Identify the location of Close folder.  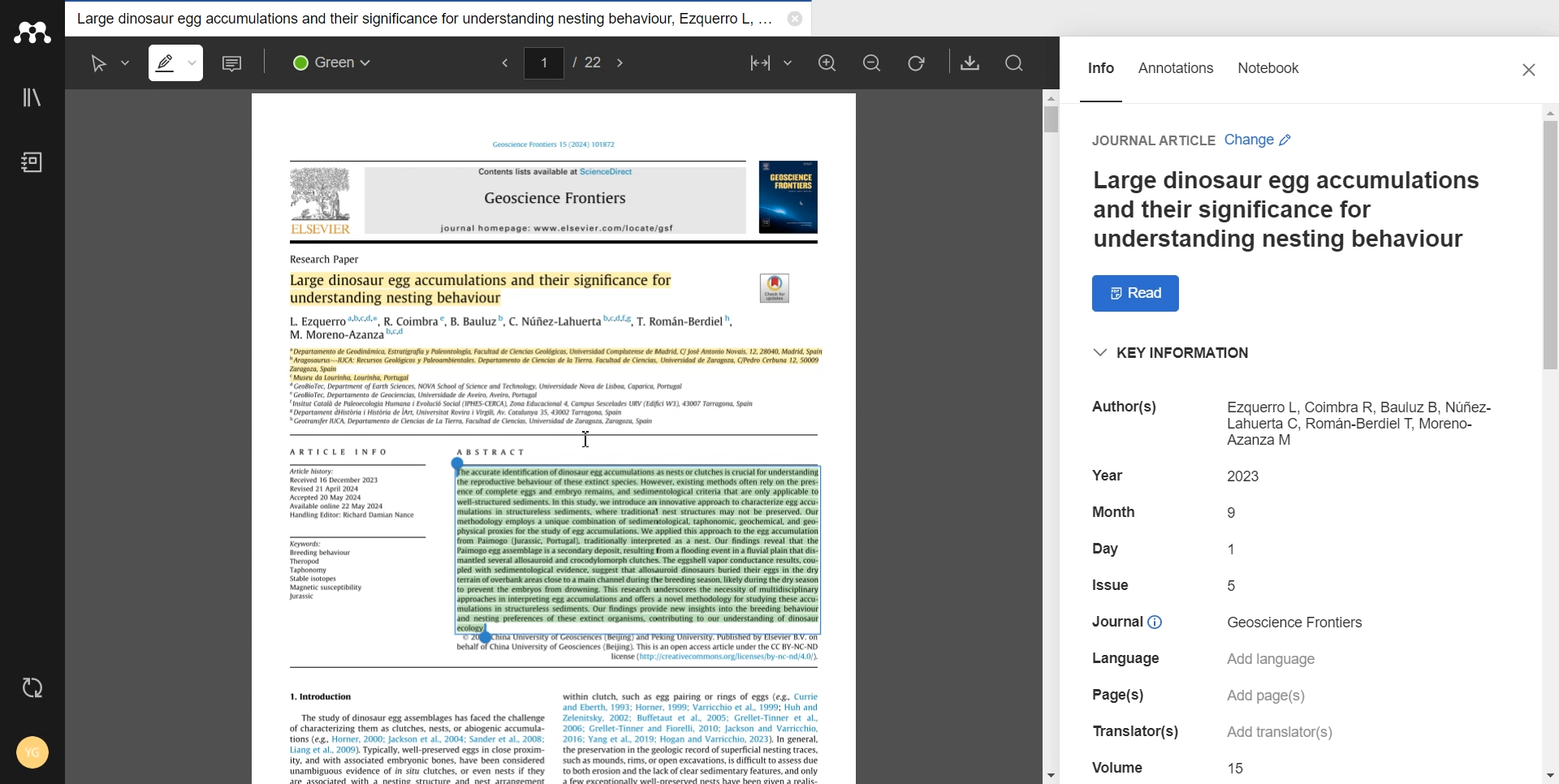
(795, 20).